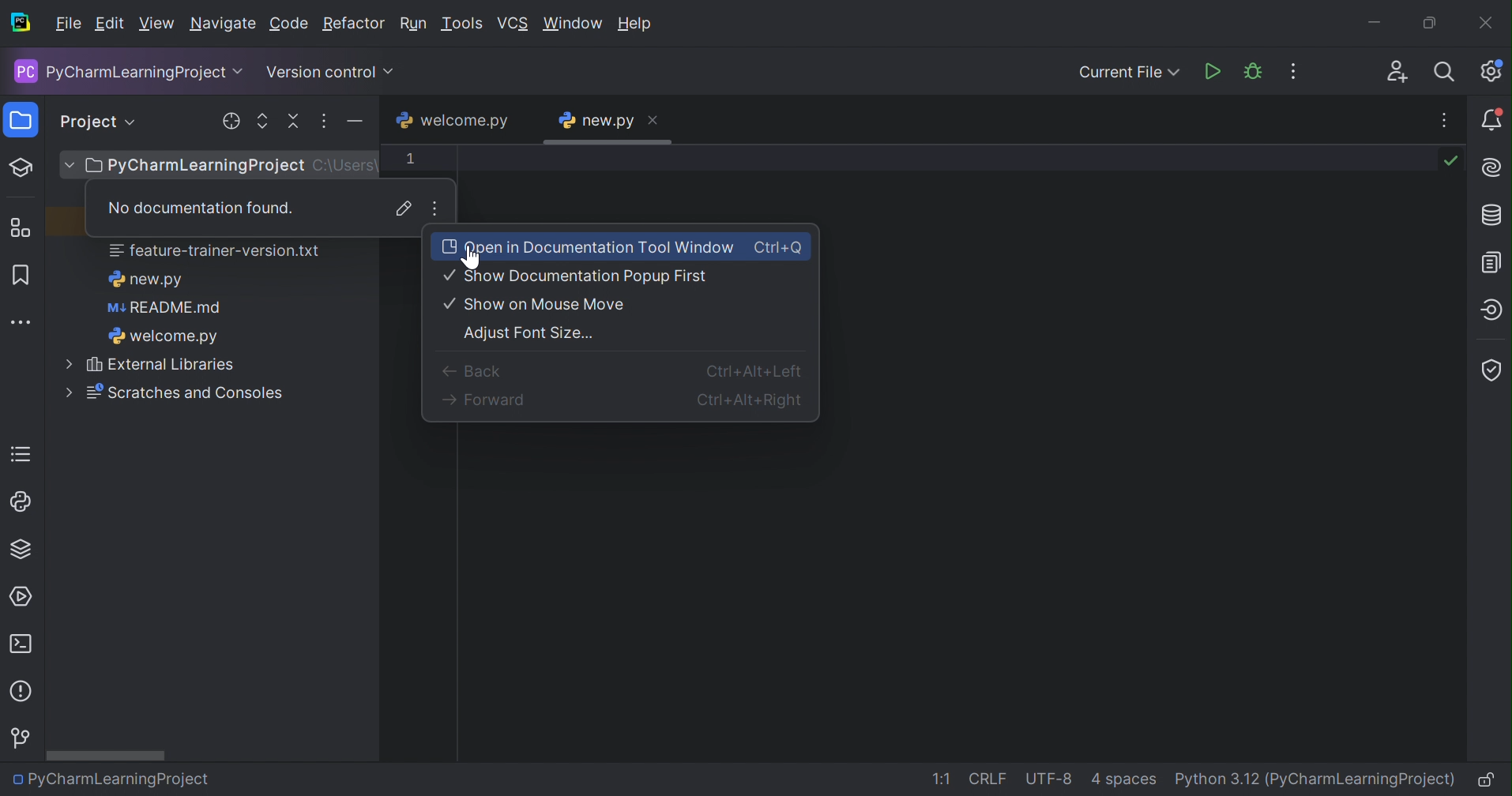  What do you see at coordinates (321, 72) in the screenshot?
I see `Version control` at bounding box center [321, 72].